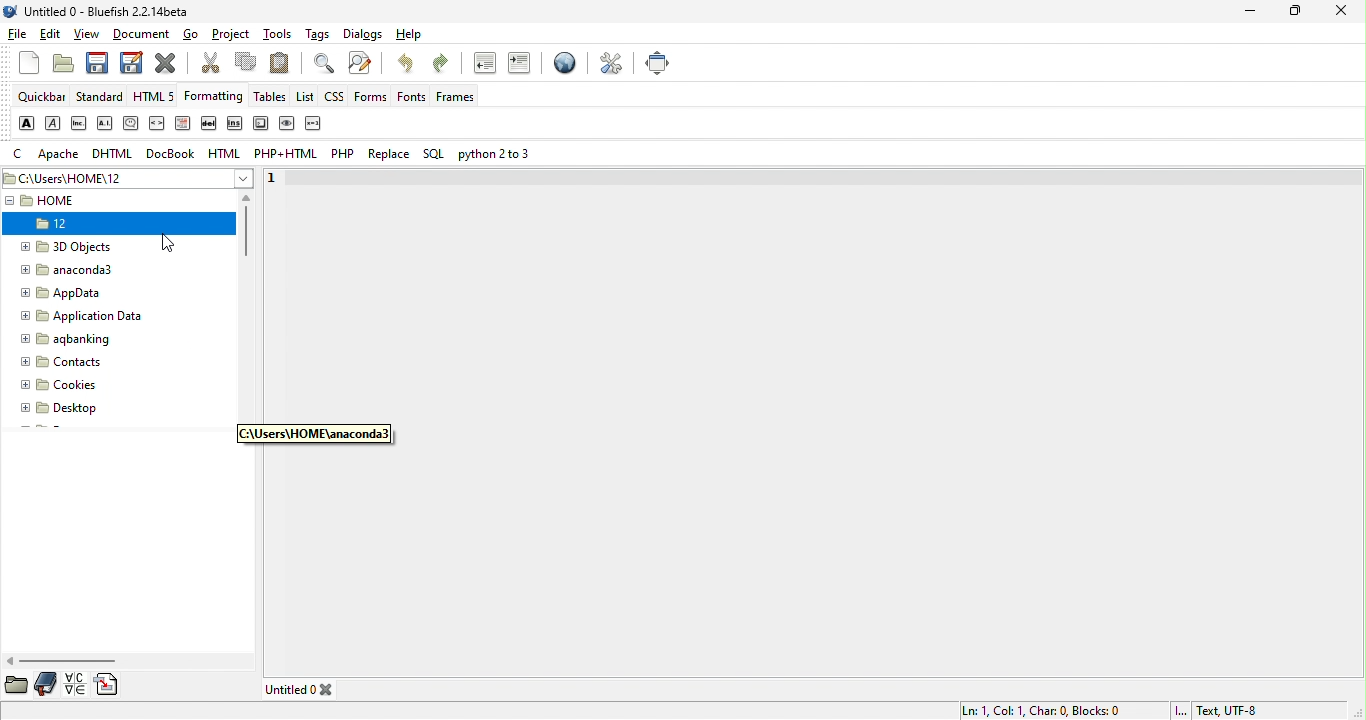  I want to click on indent, so click(519, 64).